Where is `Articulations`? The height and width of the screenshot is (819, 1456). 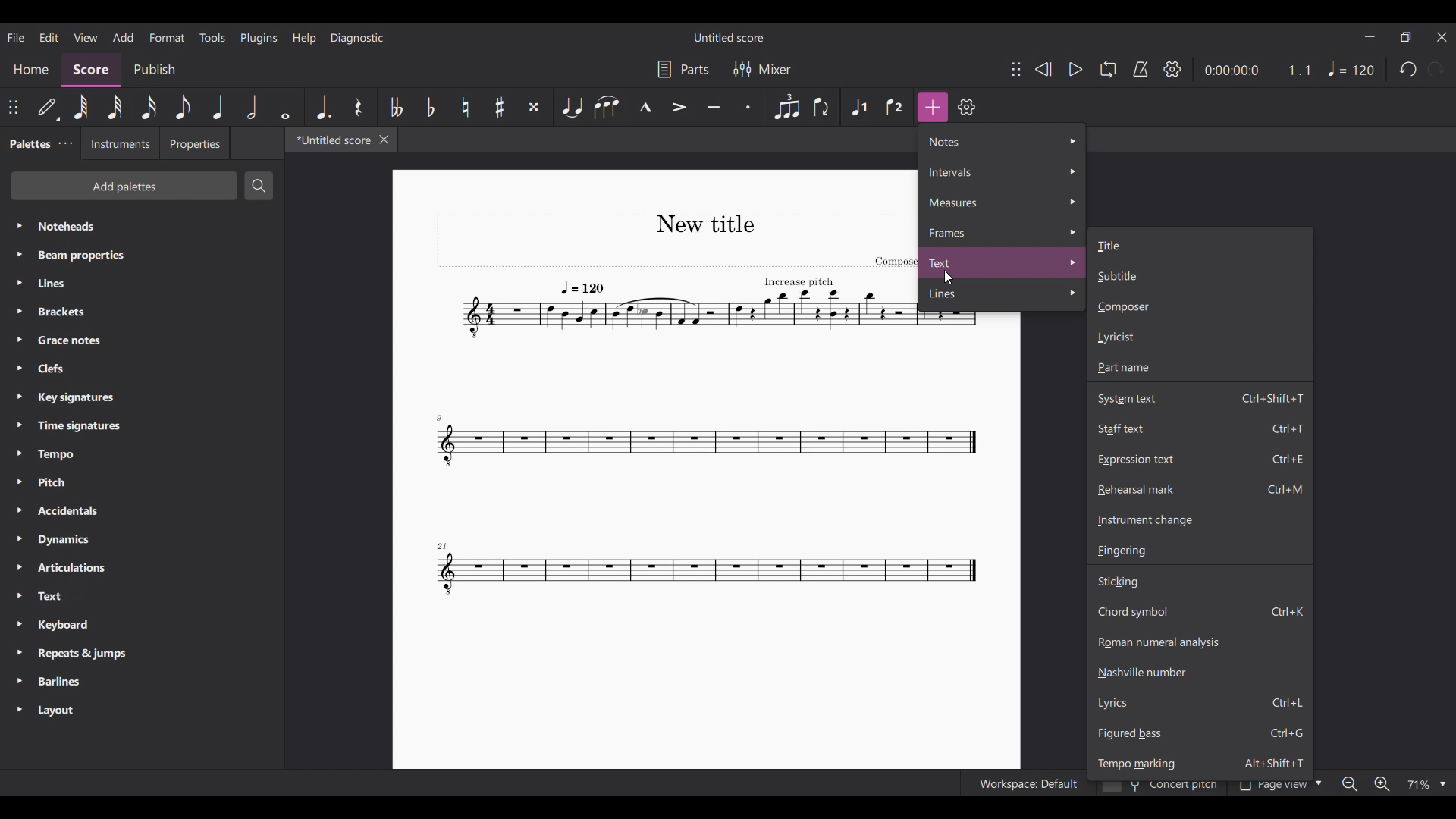
Articulations is located at coordinates (143, 568).